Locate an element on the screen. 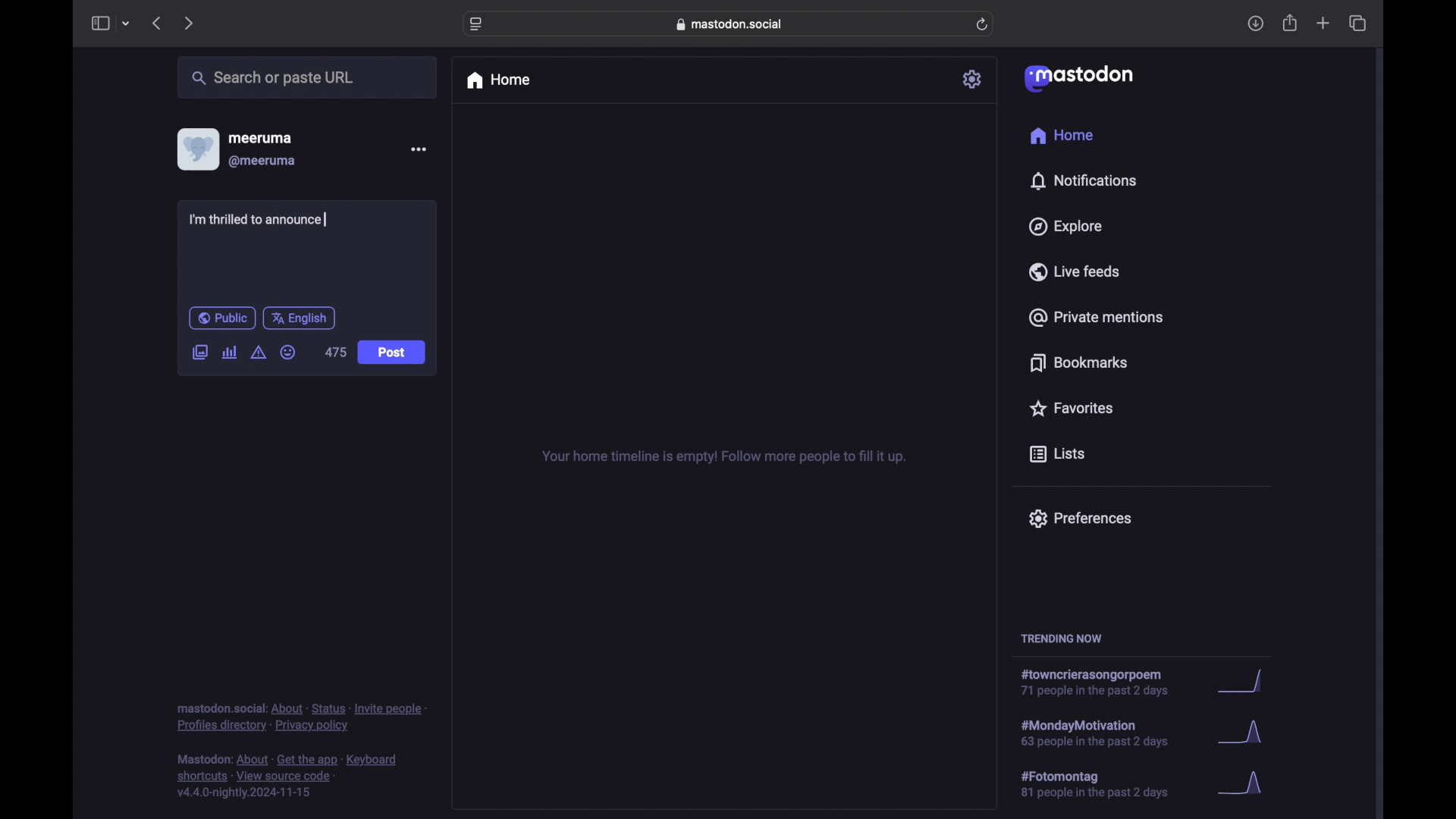  refresh is located at coordinates (982, 24).